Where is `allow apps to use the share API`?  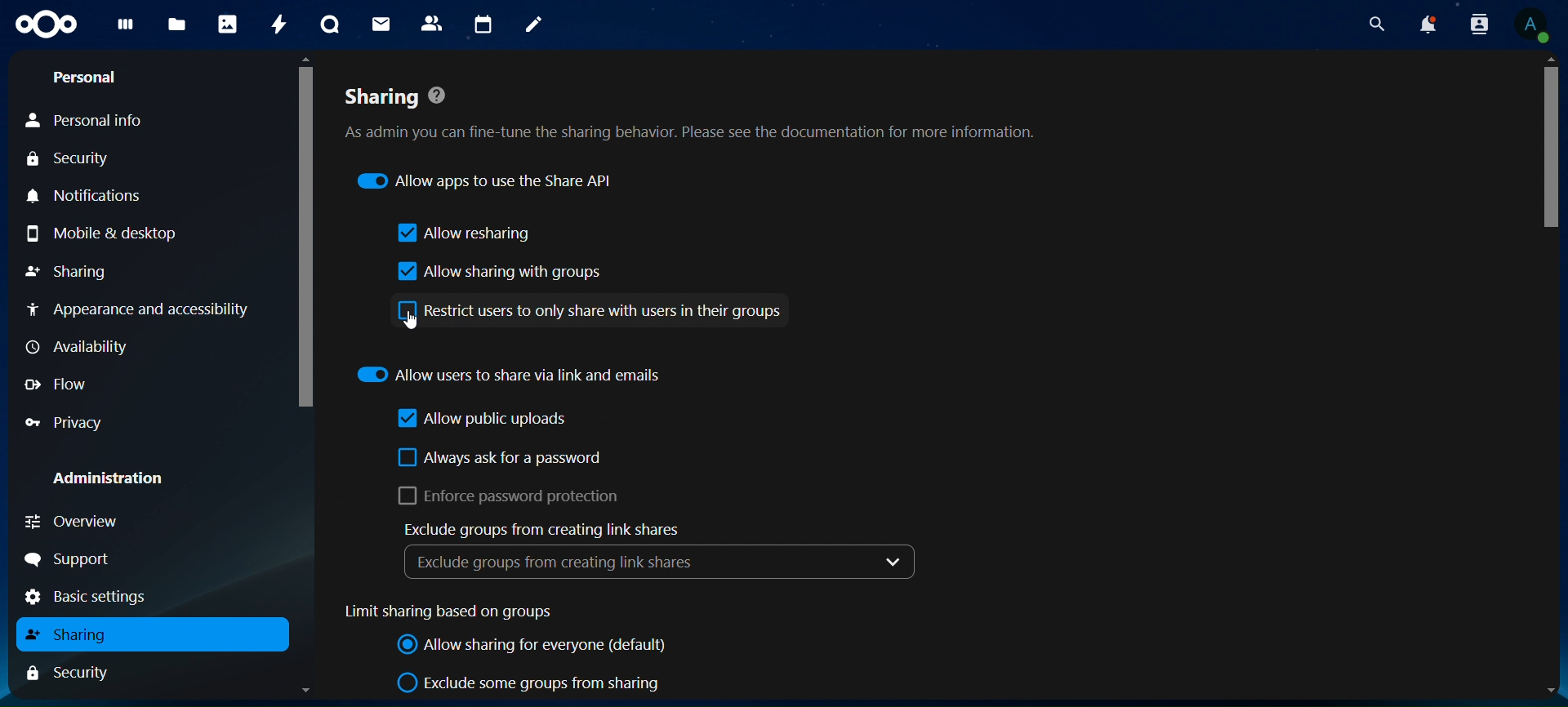
allow apps to use the share API is located at coordinates (490, 182).